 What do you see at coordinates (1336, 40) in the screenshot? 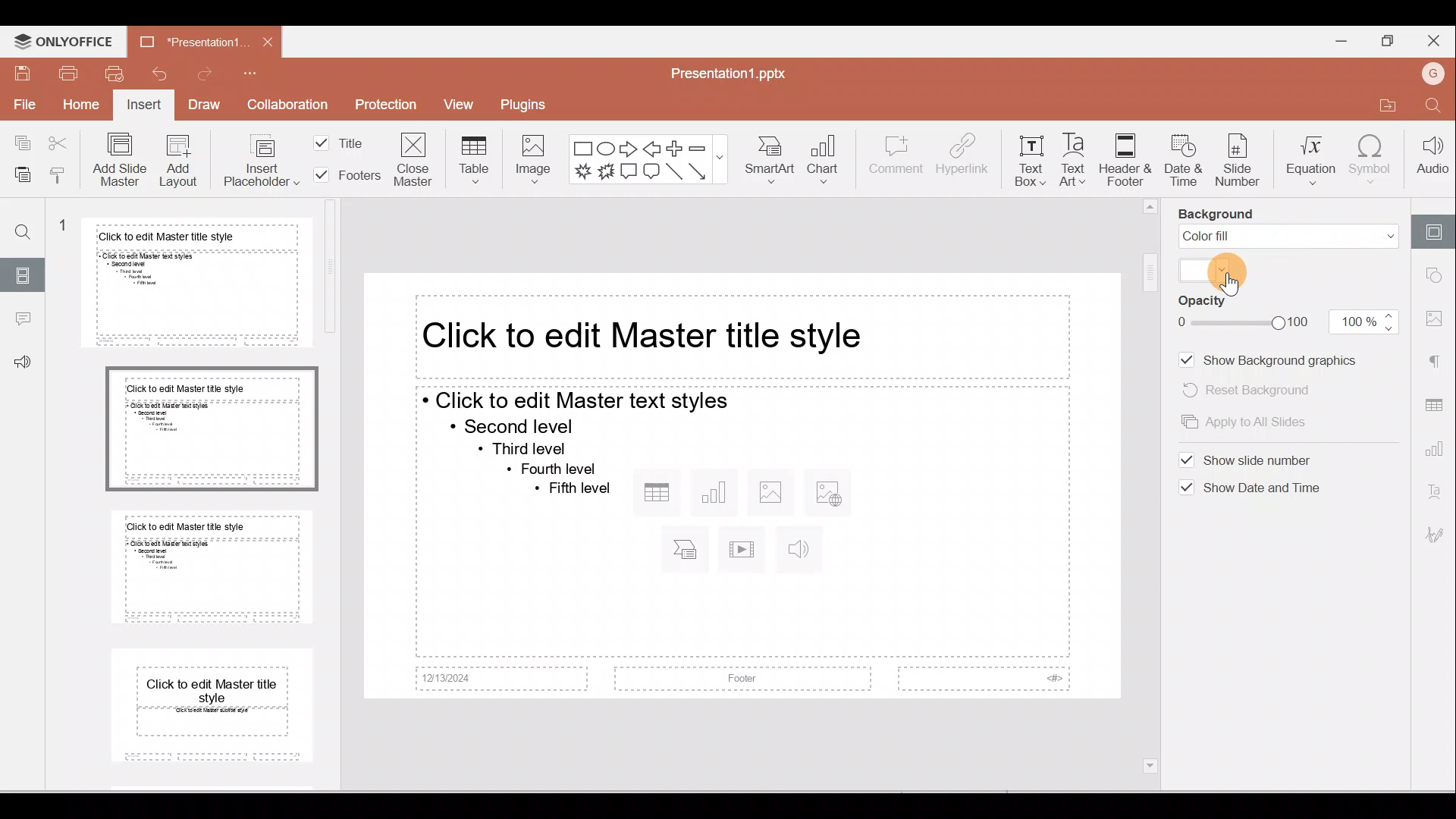
I see `Minimise` at bounding box center [1336, 40].